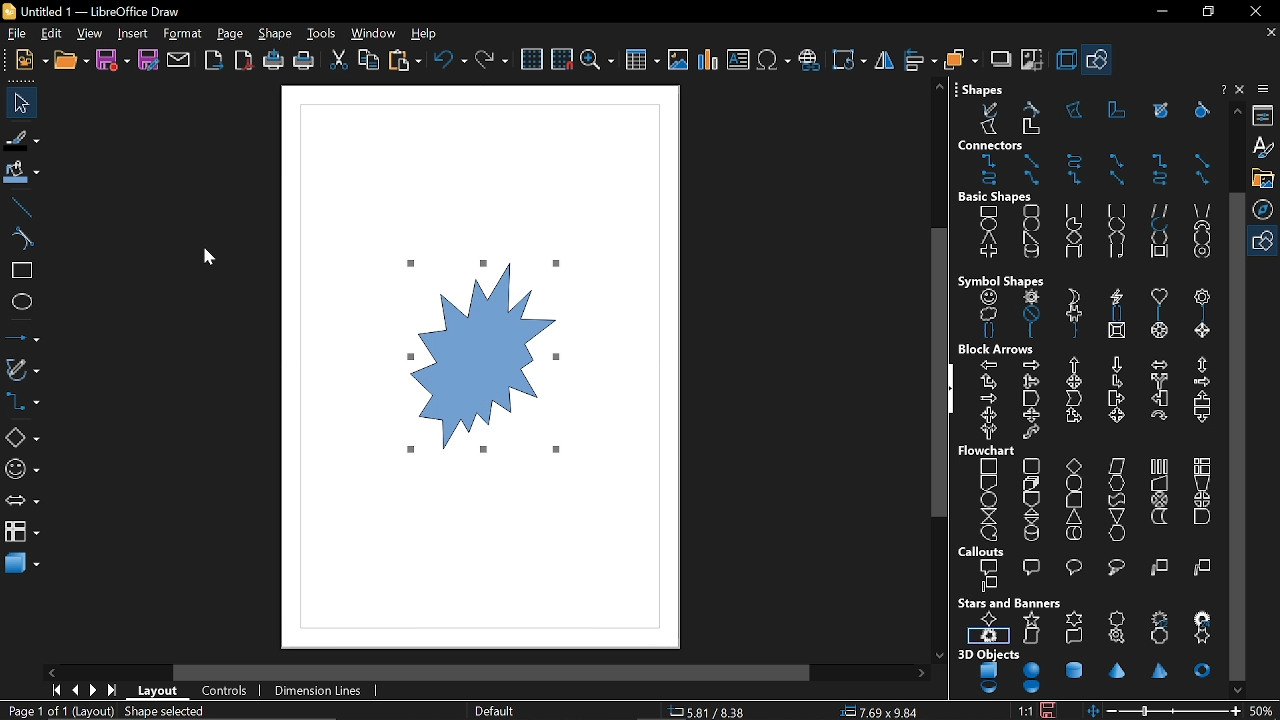 The height and width of the screenshot is (720, 1280). I want to click on Horizontal scroll bar, so click(496, 671).